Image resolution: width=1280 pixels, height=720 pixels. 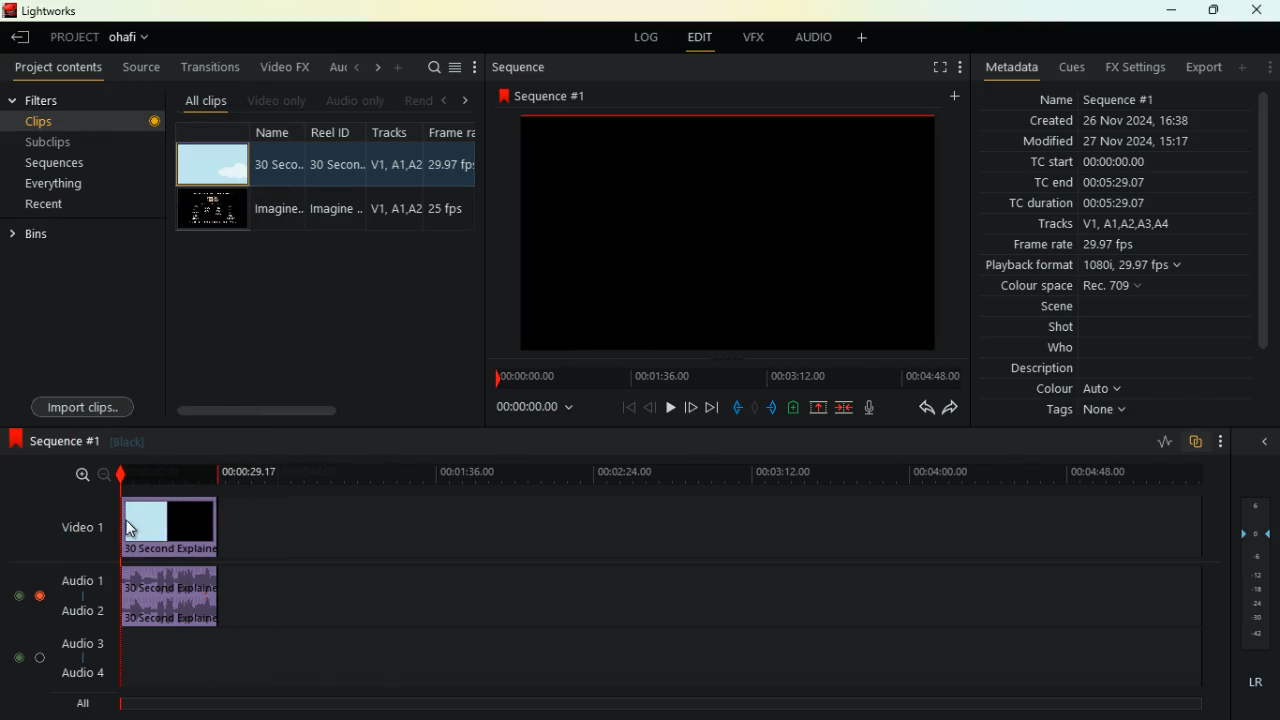 I want to click on audio3, so click(x=78, y=642).